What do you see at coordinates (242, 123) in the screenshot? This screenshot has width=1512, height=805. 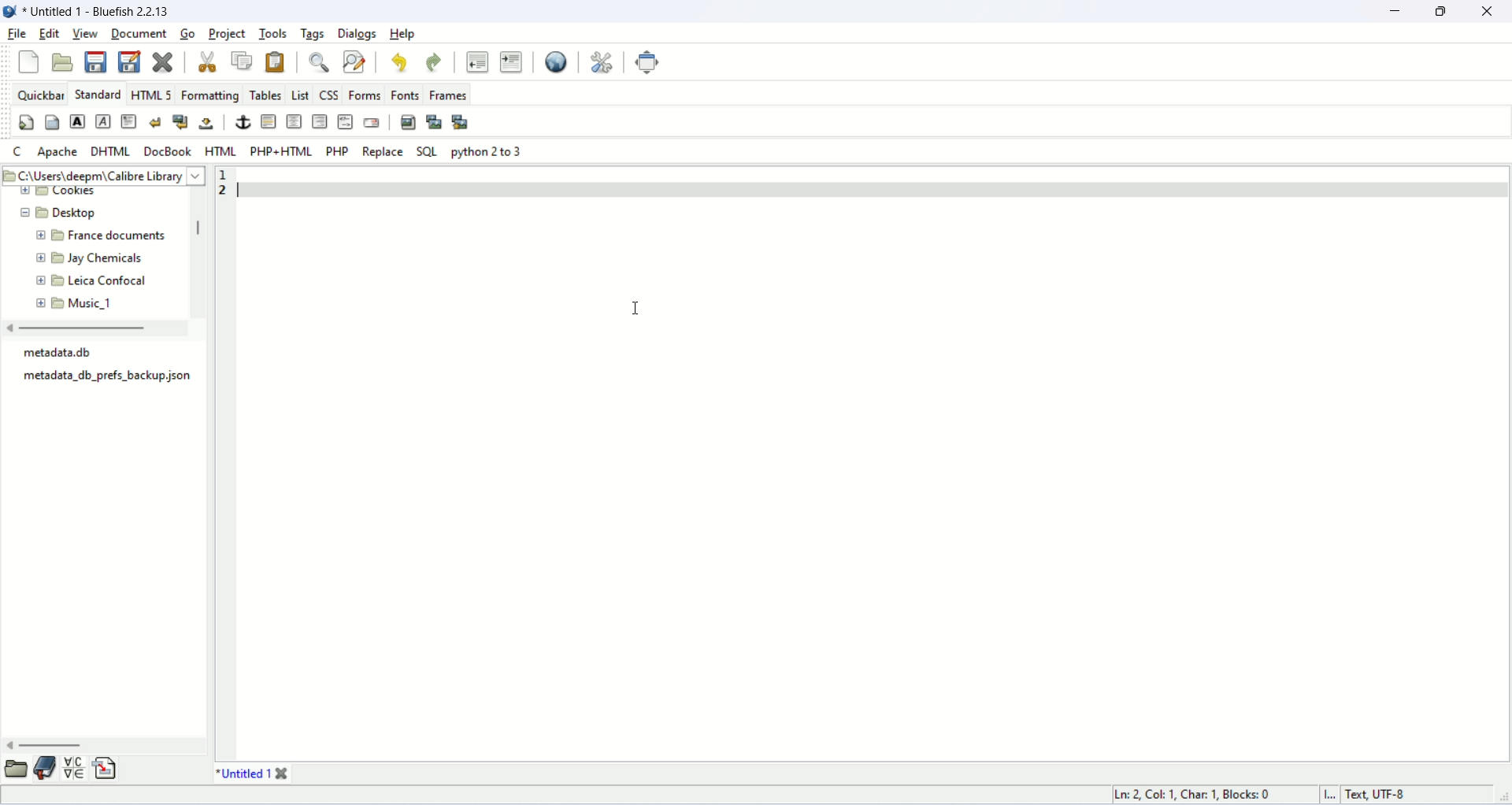 I see `anchor` at bounding box center [242, 123].